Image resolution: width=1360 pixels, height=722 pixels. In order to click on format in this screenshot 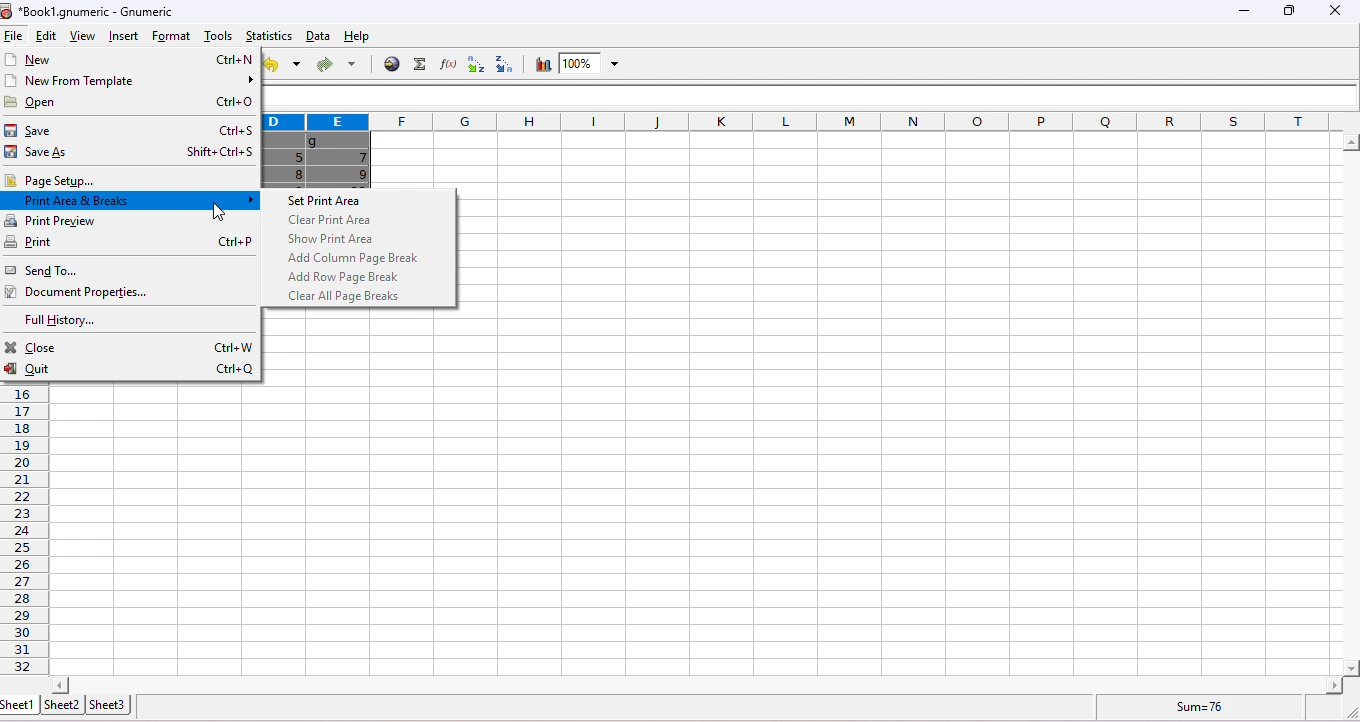, I will do `click(173, 35)`.